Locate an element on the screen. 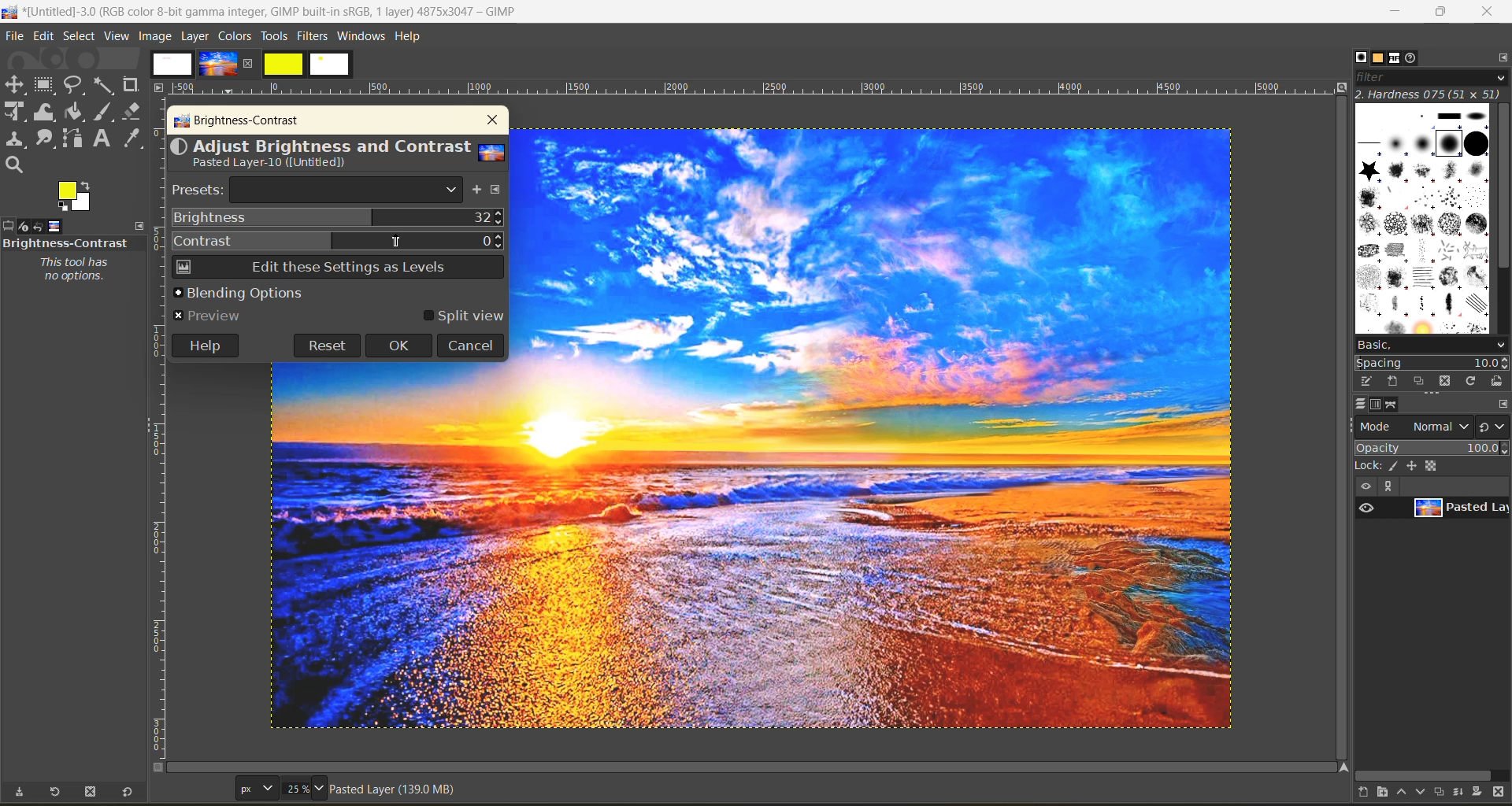 This screenshot has height=806, width=1512. configure is located at coordinates (1499, 57).